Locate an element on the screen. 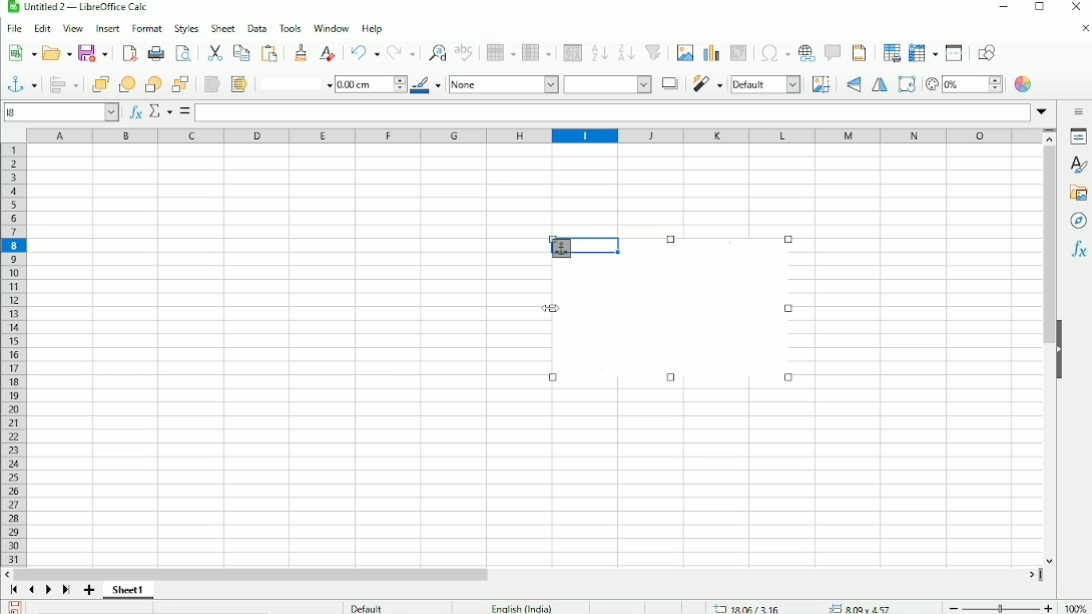  Select anchor for objects is located at coordinates (20, 83).